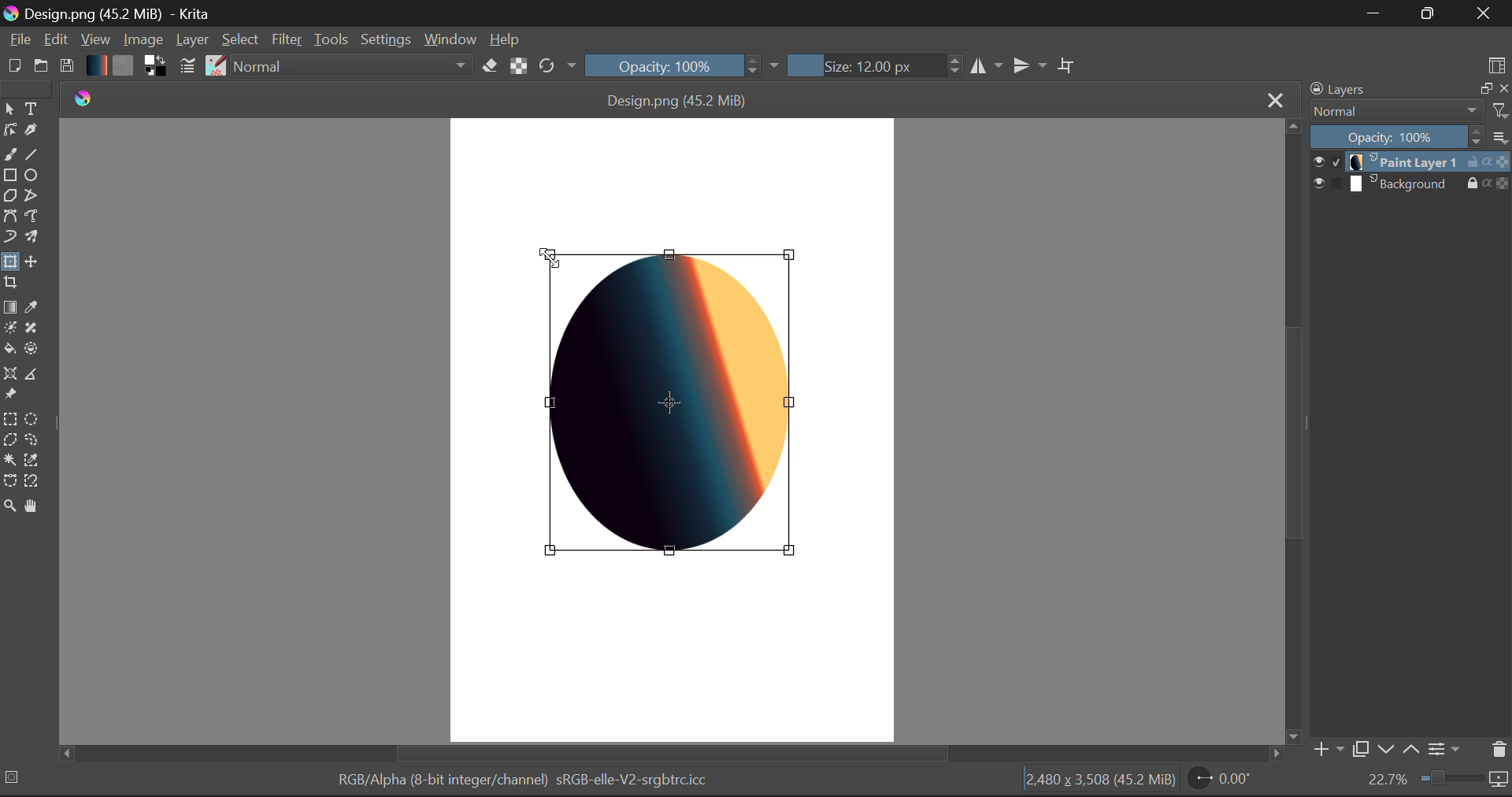 The image size is (1512, 797). What do you see at coordinates (679, 98) in the screenshot?
I see `Design.png (45.2MB)` at bounding box center [679, 98].